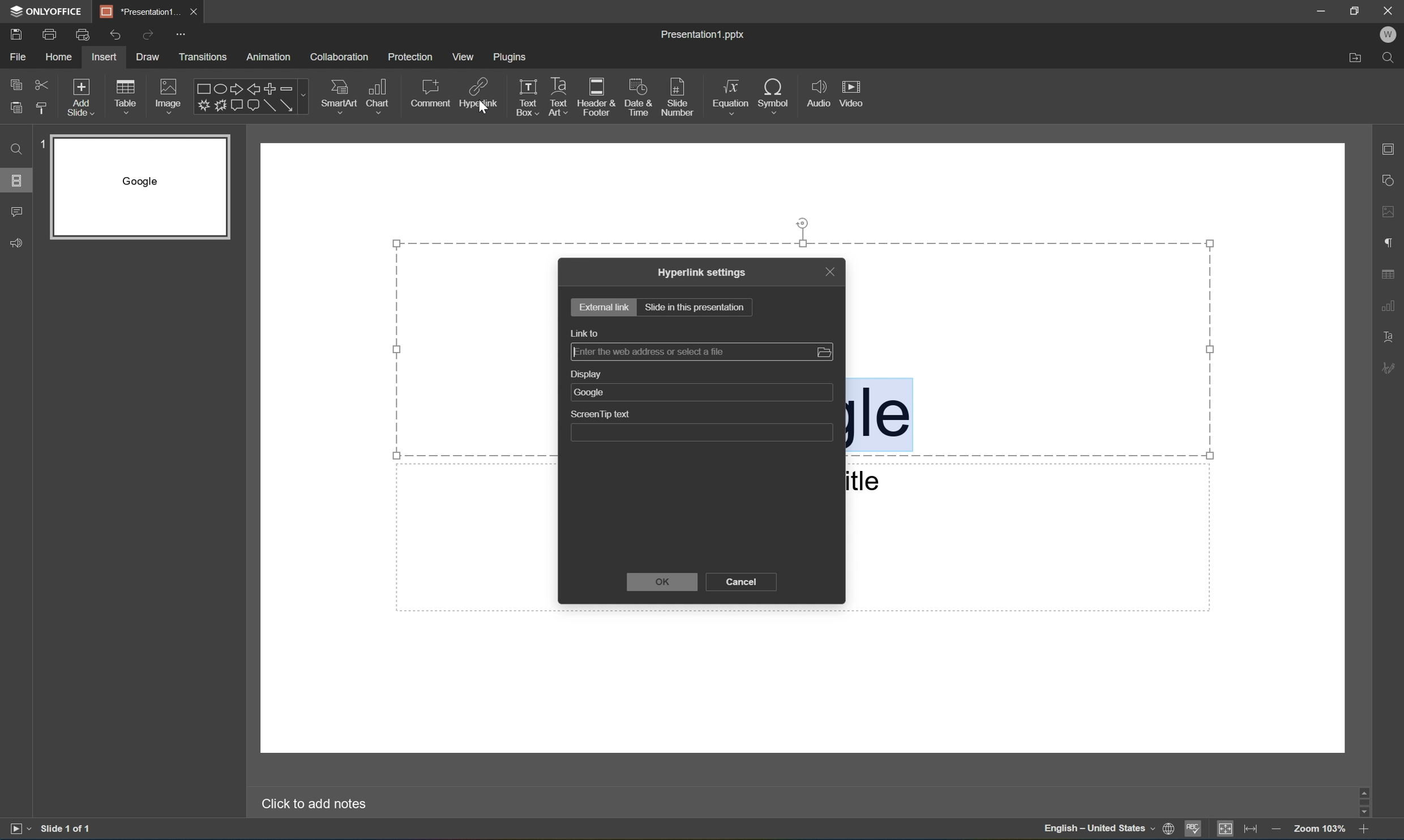 This screenshot has height=840, width=1404. What do you see at coordinates (1228, 829) in the screenshot?
I see `Fit to slide` at bounding box center [1228, 829].